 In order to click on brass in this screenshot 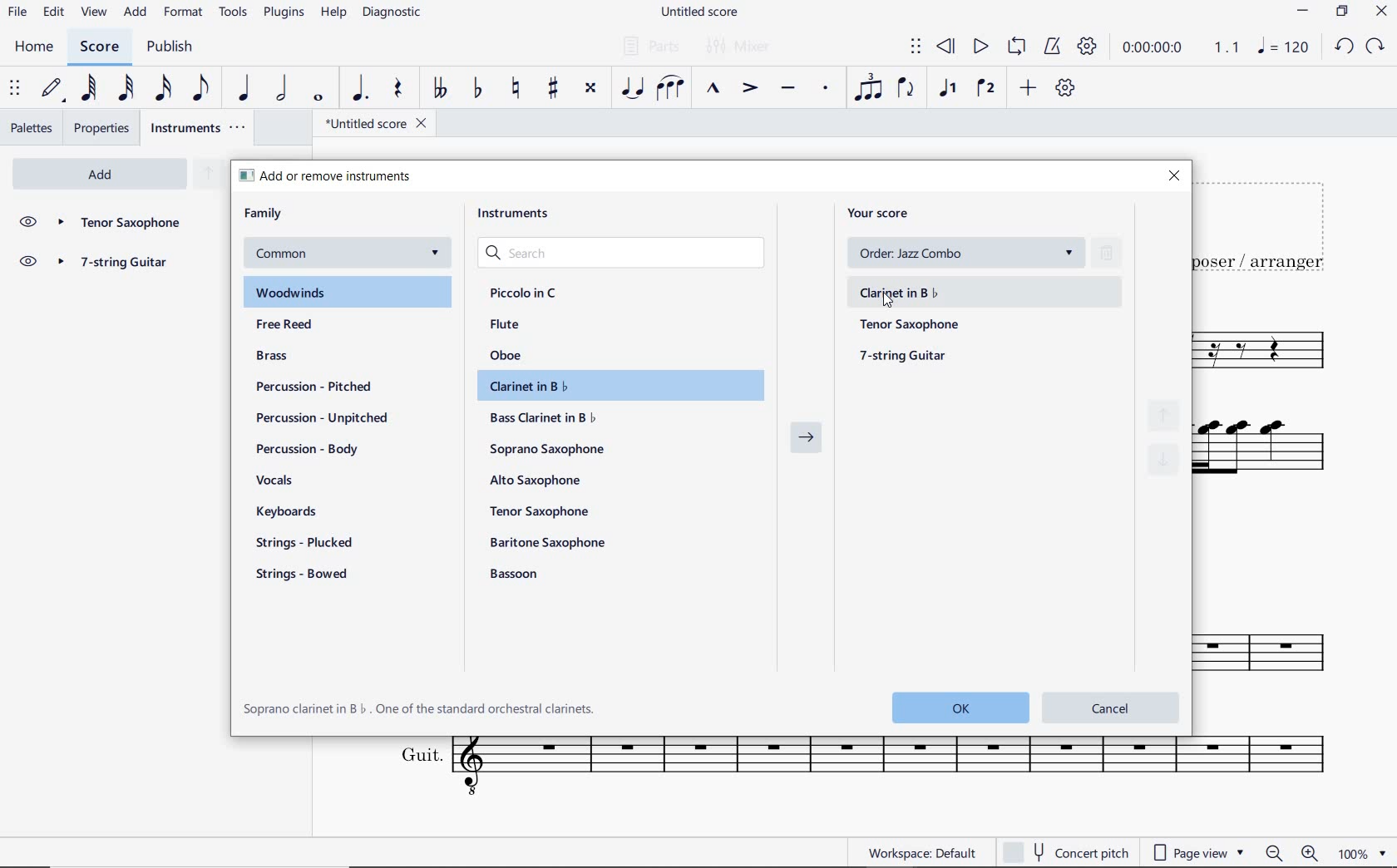, I will do `click(293, 358)`.